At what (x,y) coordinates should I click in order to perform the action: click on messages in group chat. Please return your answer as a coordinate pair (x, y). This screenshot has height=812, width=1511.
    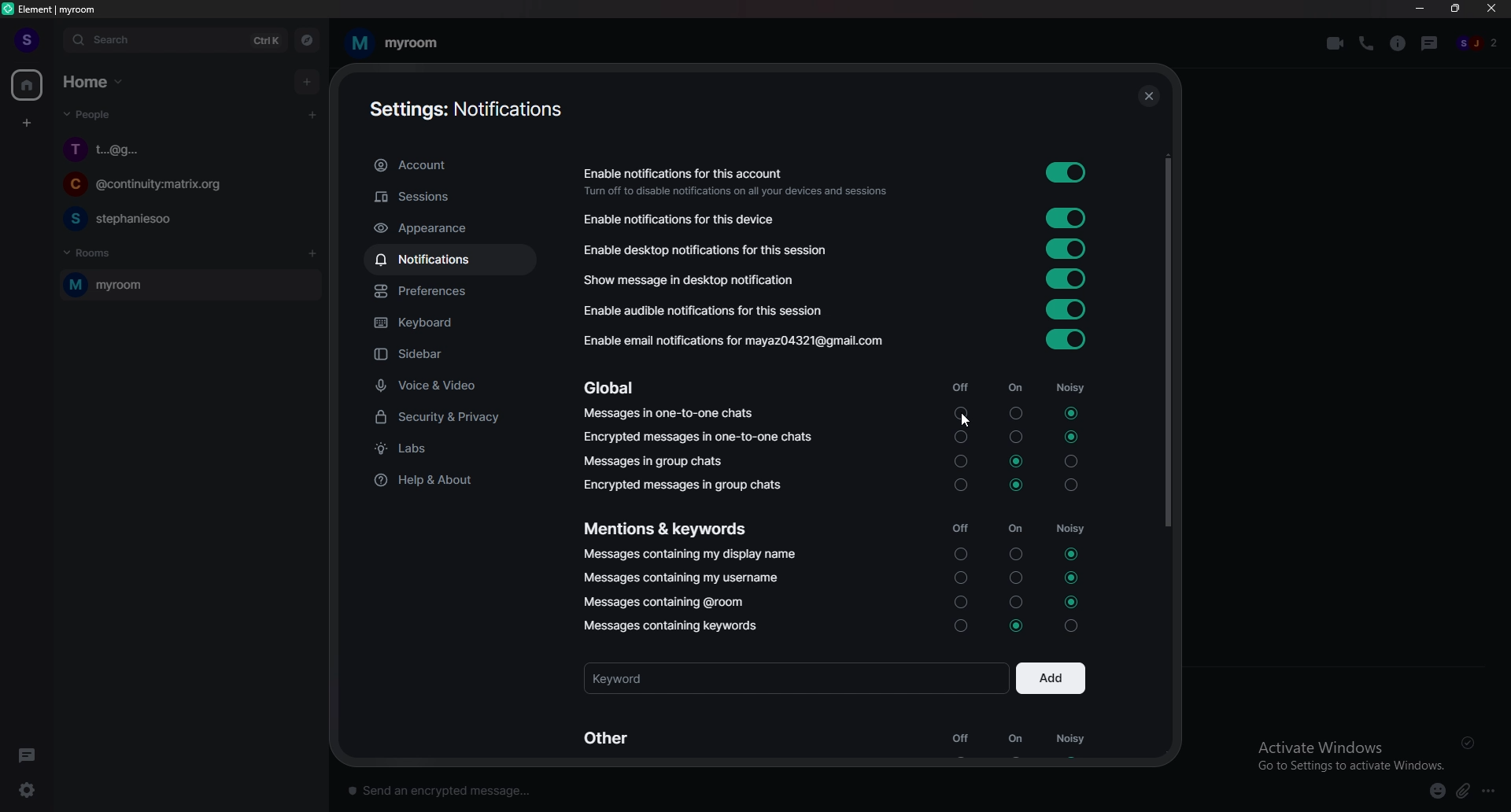
    Looking at the image, I should click on (656, 463).